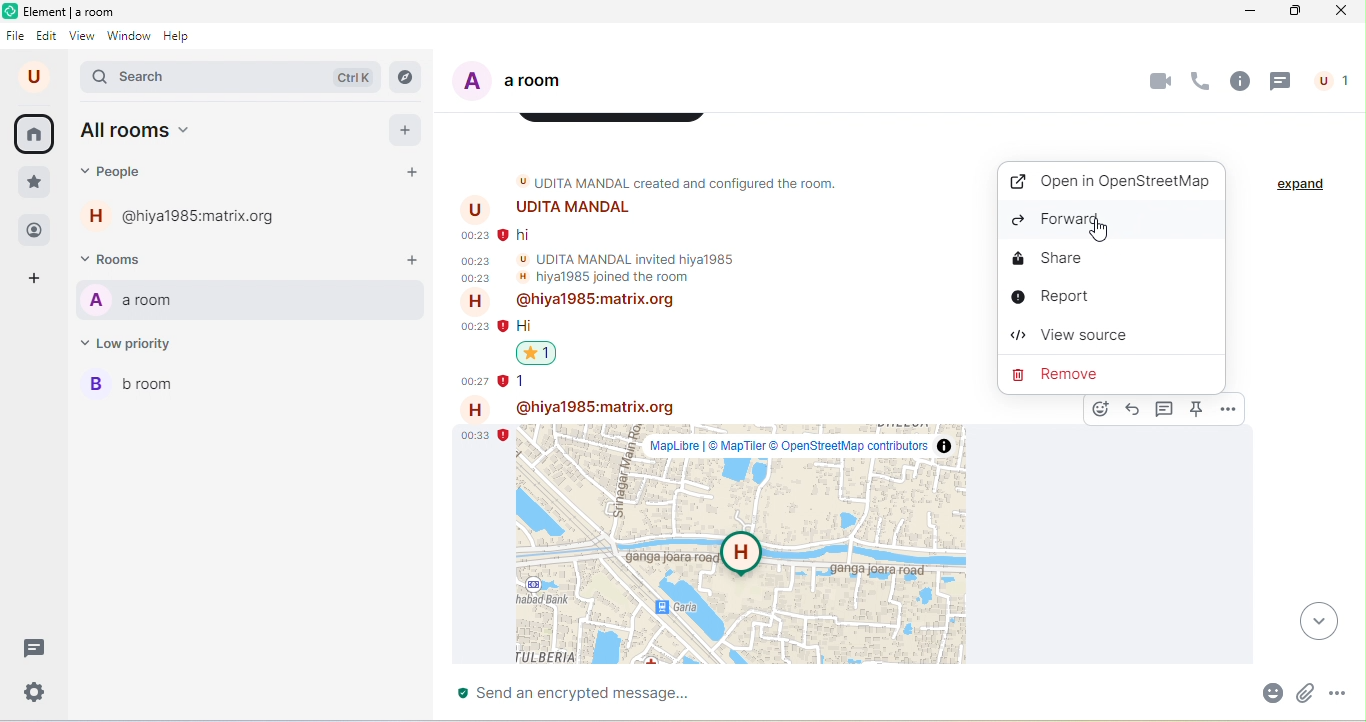 The height and width of the screenshot is (722, 1366). I want to click on view source, so click(1111, 335).